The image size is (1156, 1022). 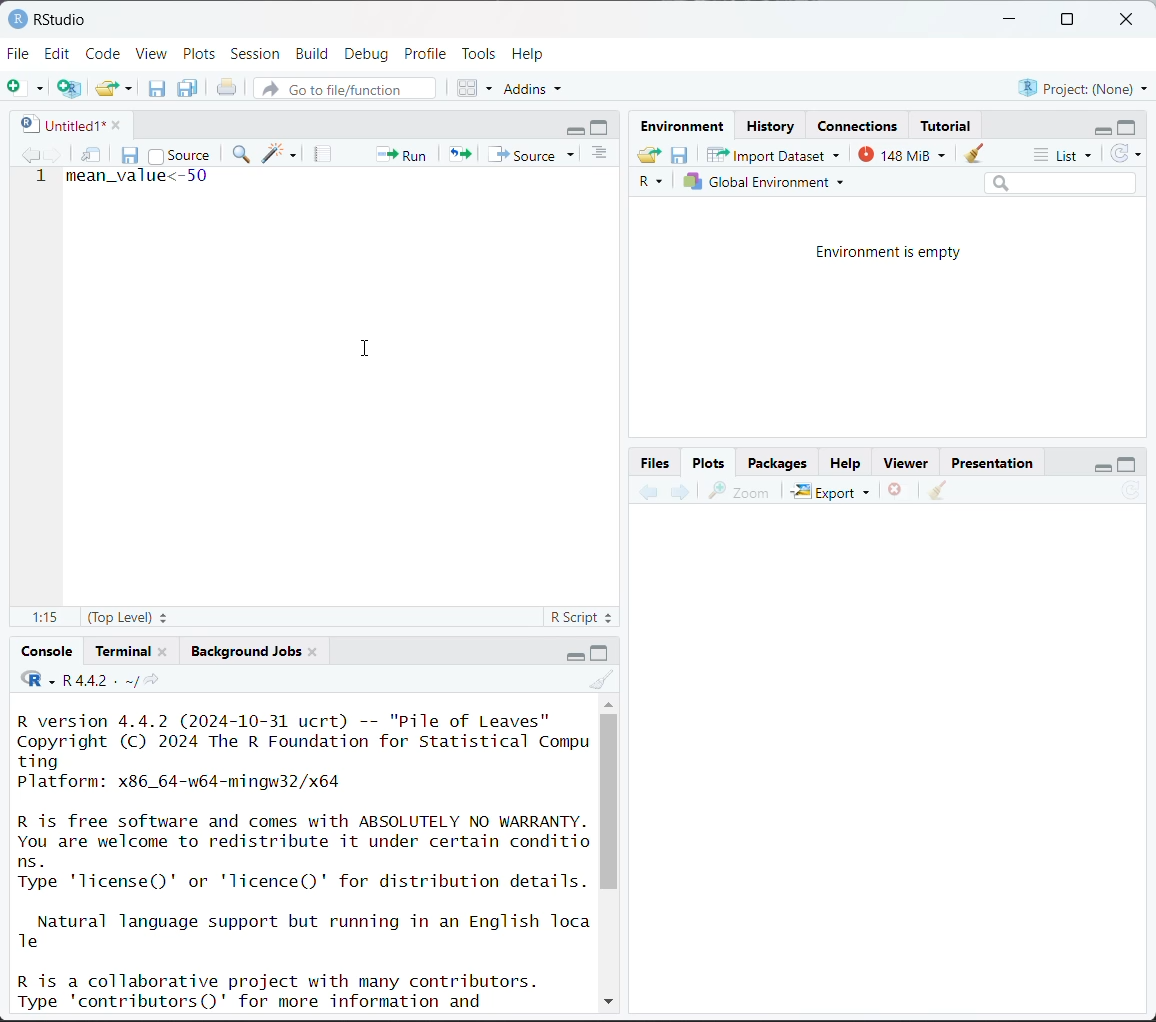 I want to click on source, so click(x=179, y=154).